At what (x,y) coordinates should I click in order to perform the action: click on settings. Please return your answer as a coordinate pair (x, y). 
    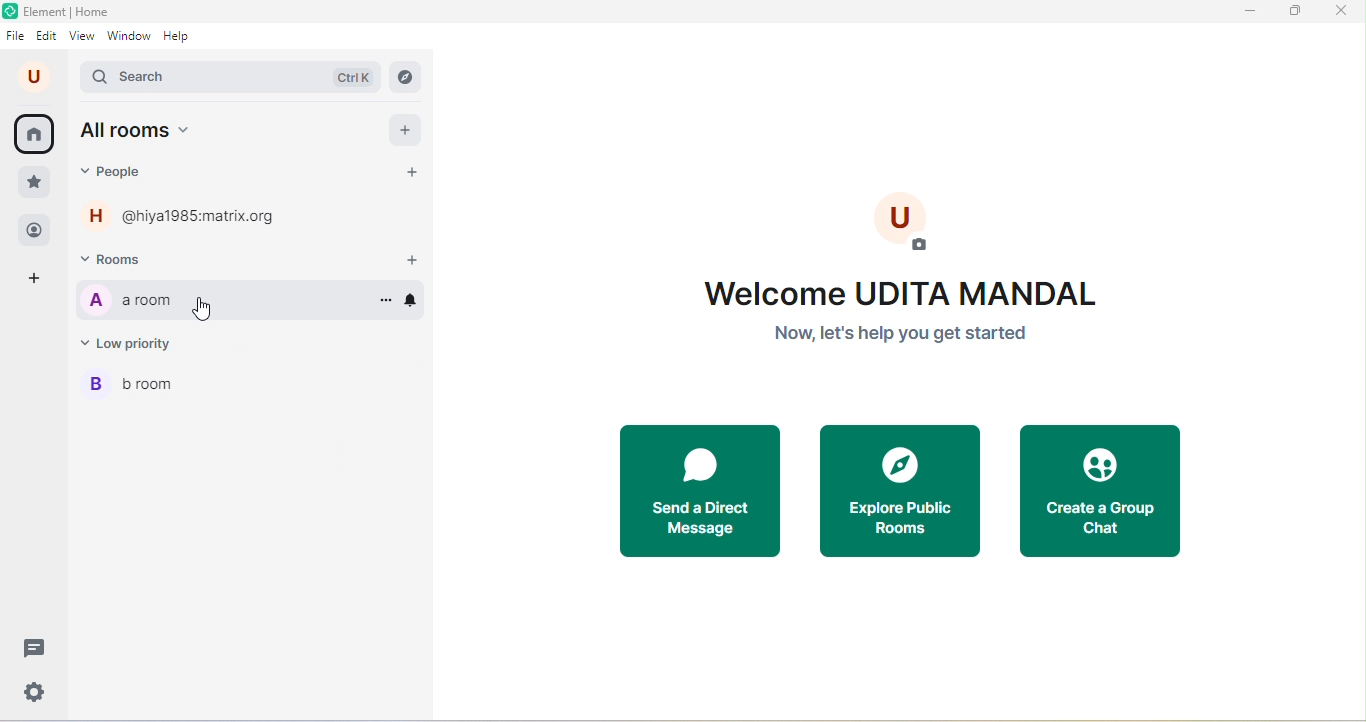
    Looking at the image, I should click on (38, 691).